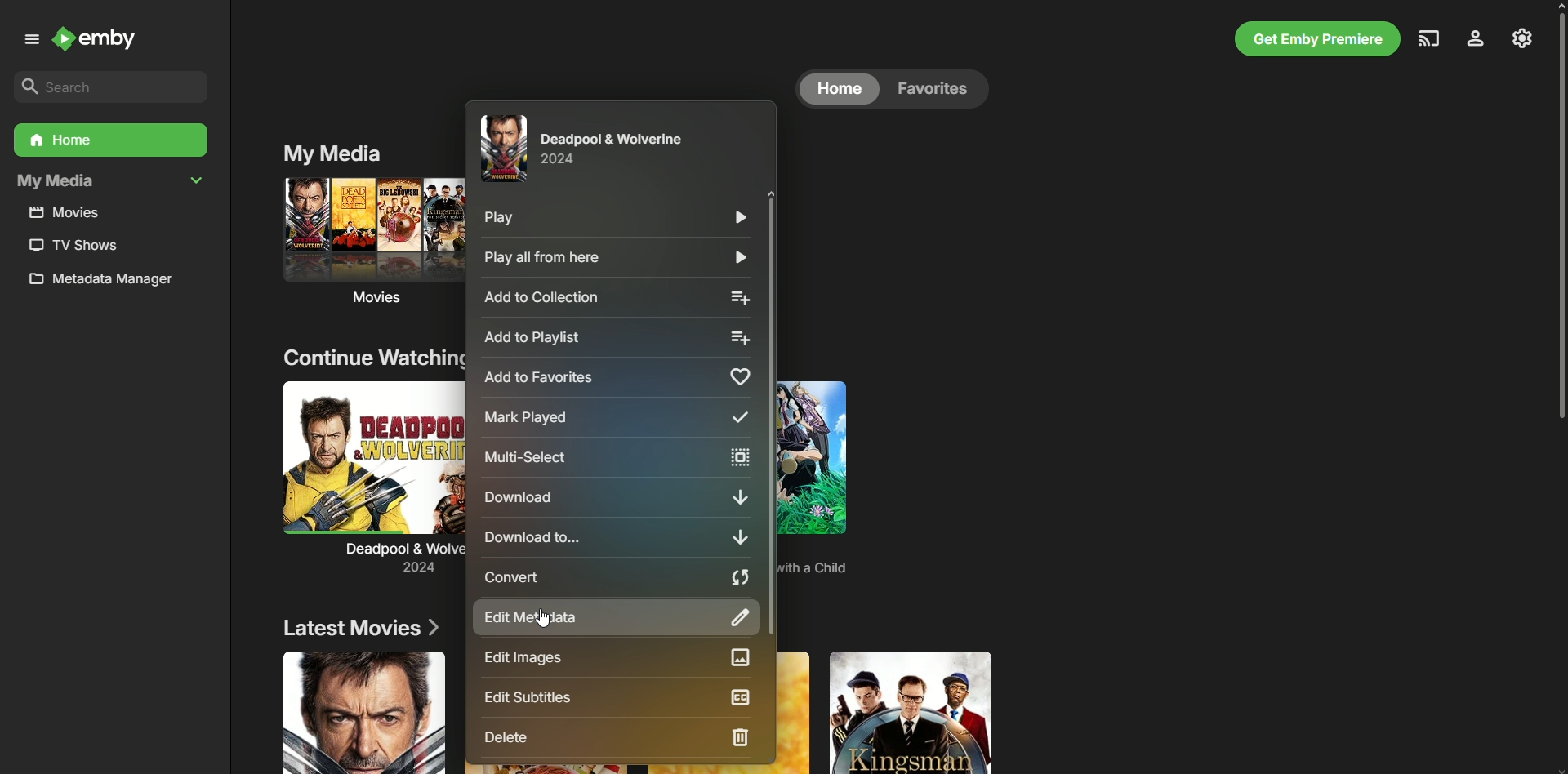  I want to click on Play all from here, so click(618, 258).